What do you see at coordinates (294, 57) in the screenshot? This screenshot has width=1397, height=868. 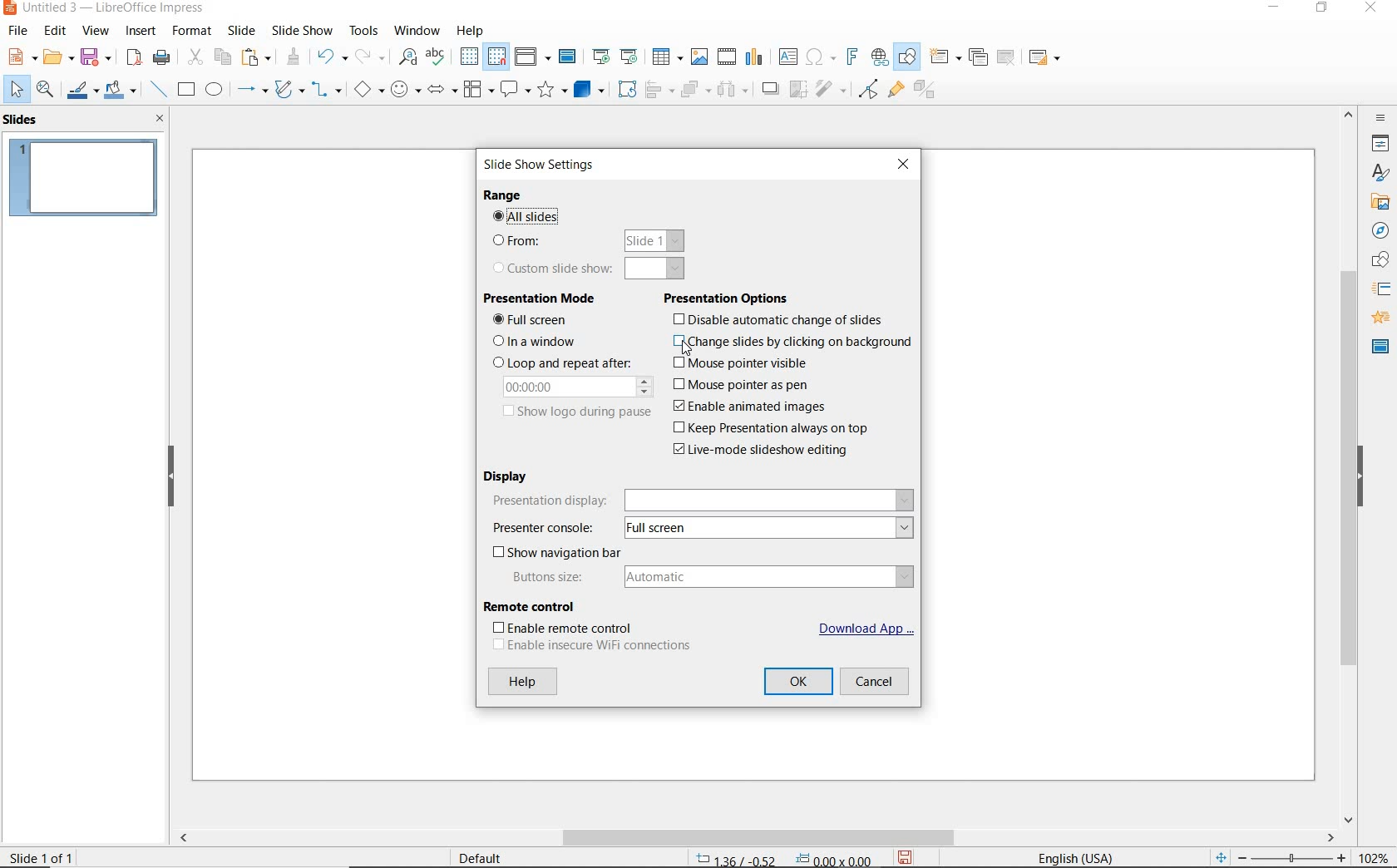 I see `CLONE FORMATTING` at bounding box center [294, 57].